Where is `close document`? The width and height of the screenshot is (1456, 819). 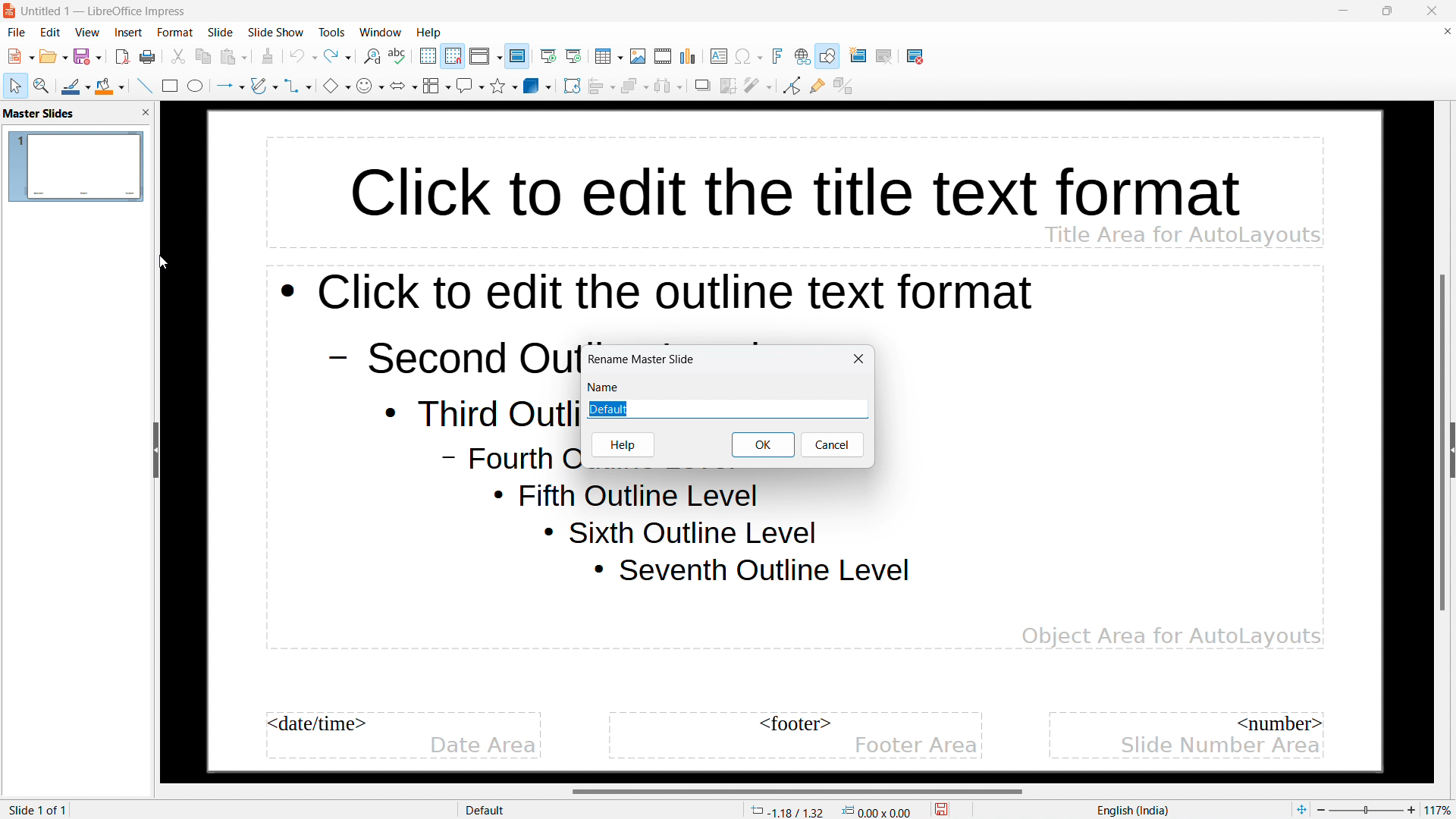 close document is located at coordinates (1446, 31).